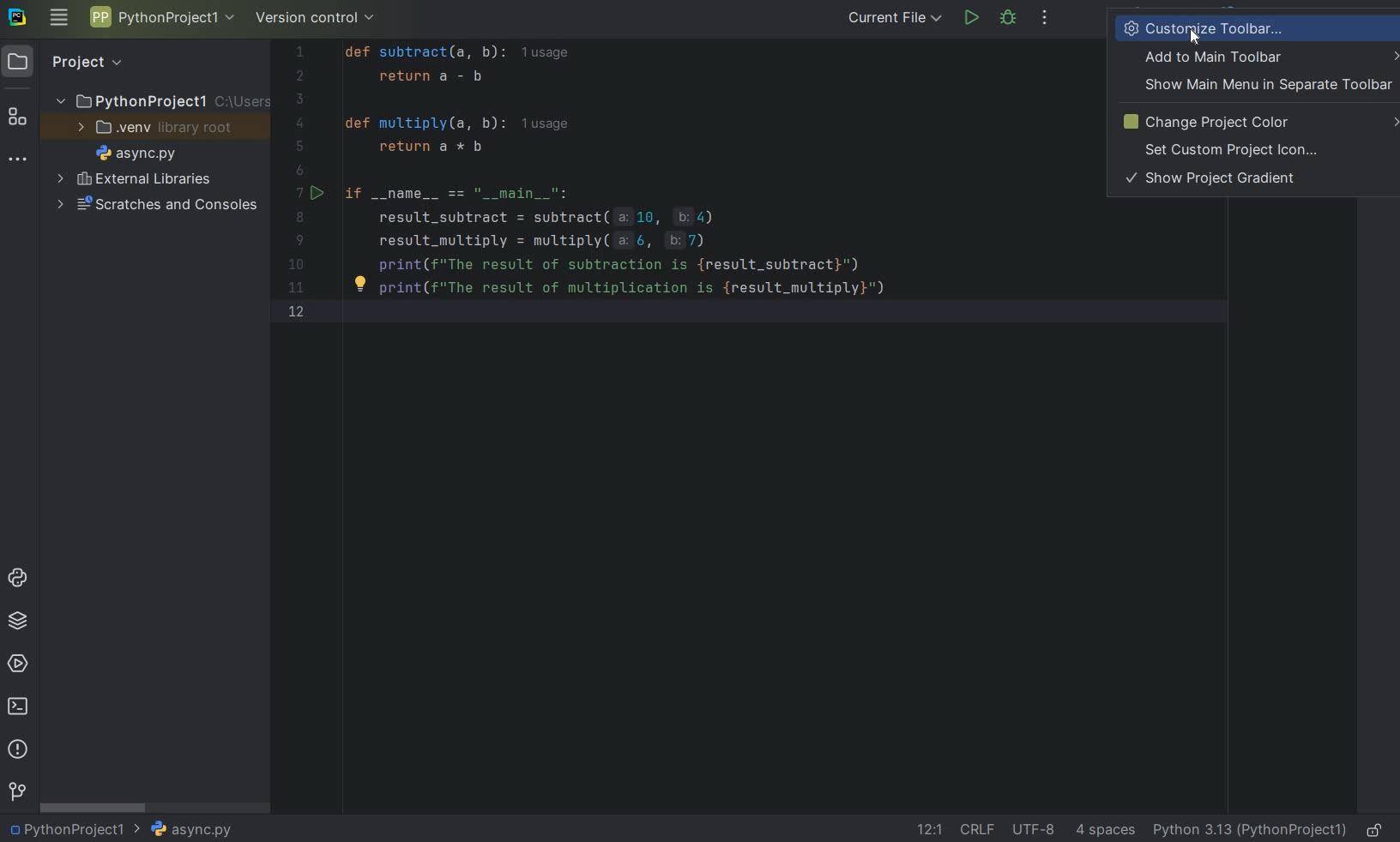 The height and width of the screenshot is (842, 1400). I want to click on SCRATCHES AND CONSOLES, so click(158, 205).